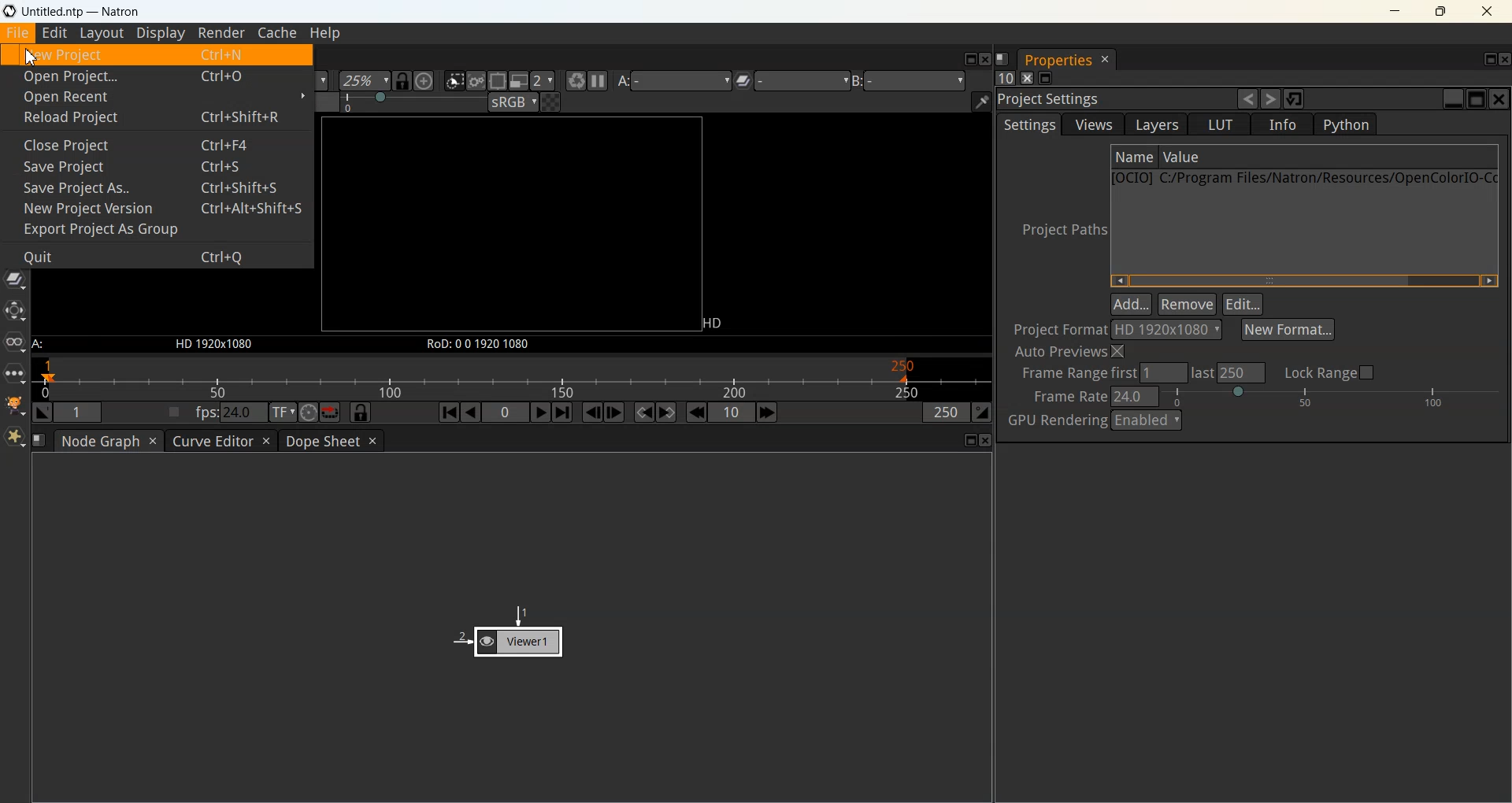  Describe the element at coordinates (1441, 11) in the screenshot. I see `Maximize` at that location.